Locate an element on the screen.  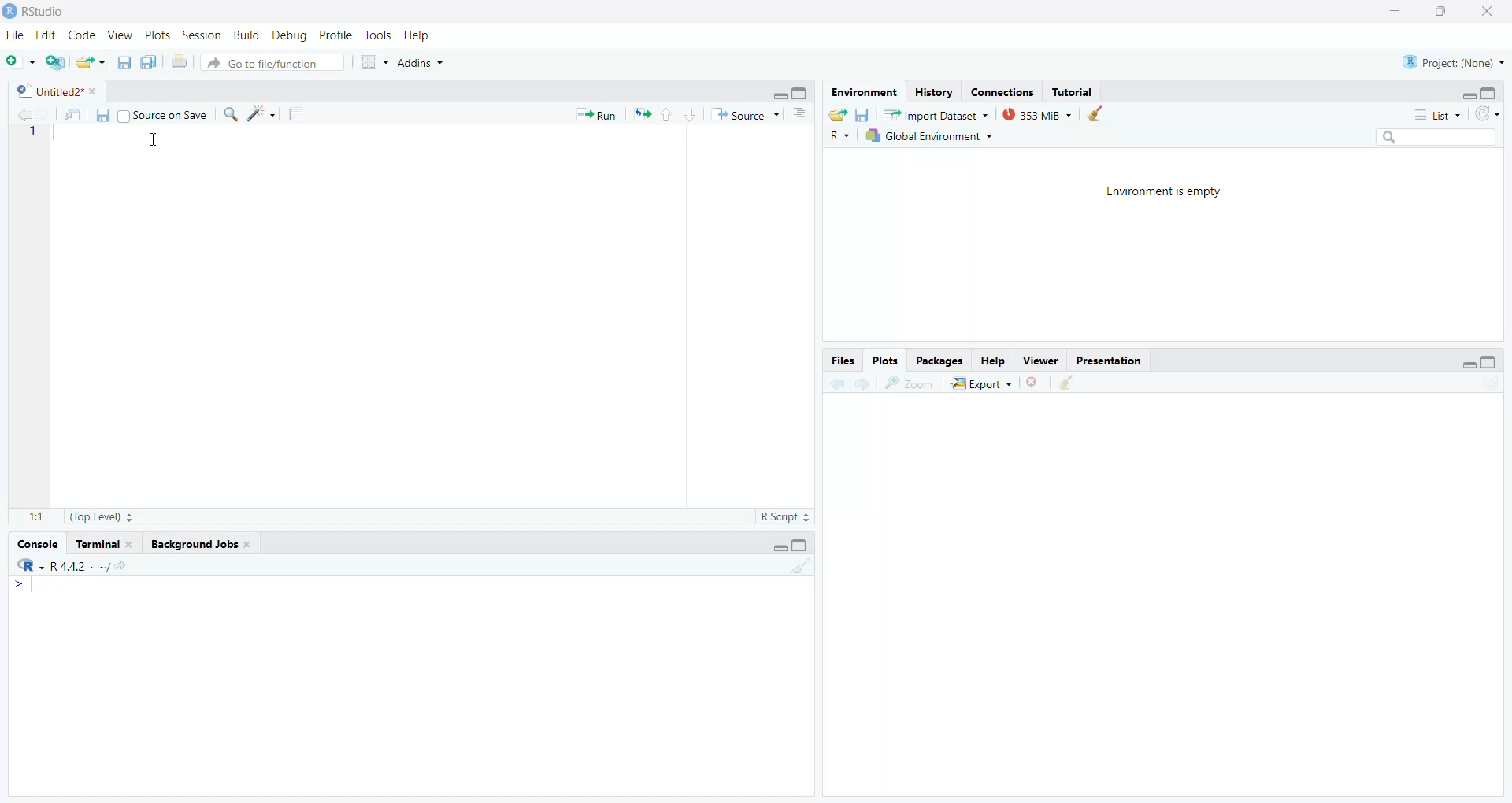
new file is located at coordinates (19, 62).